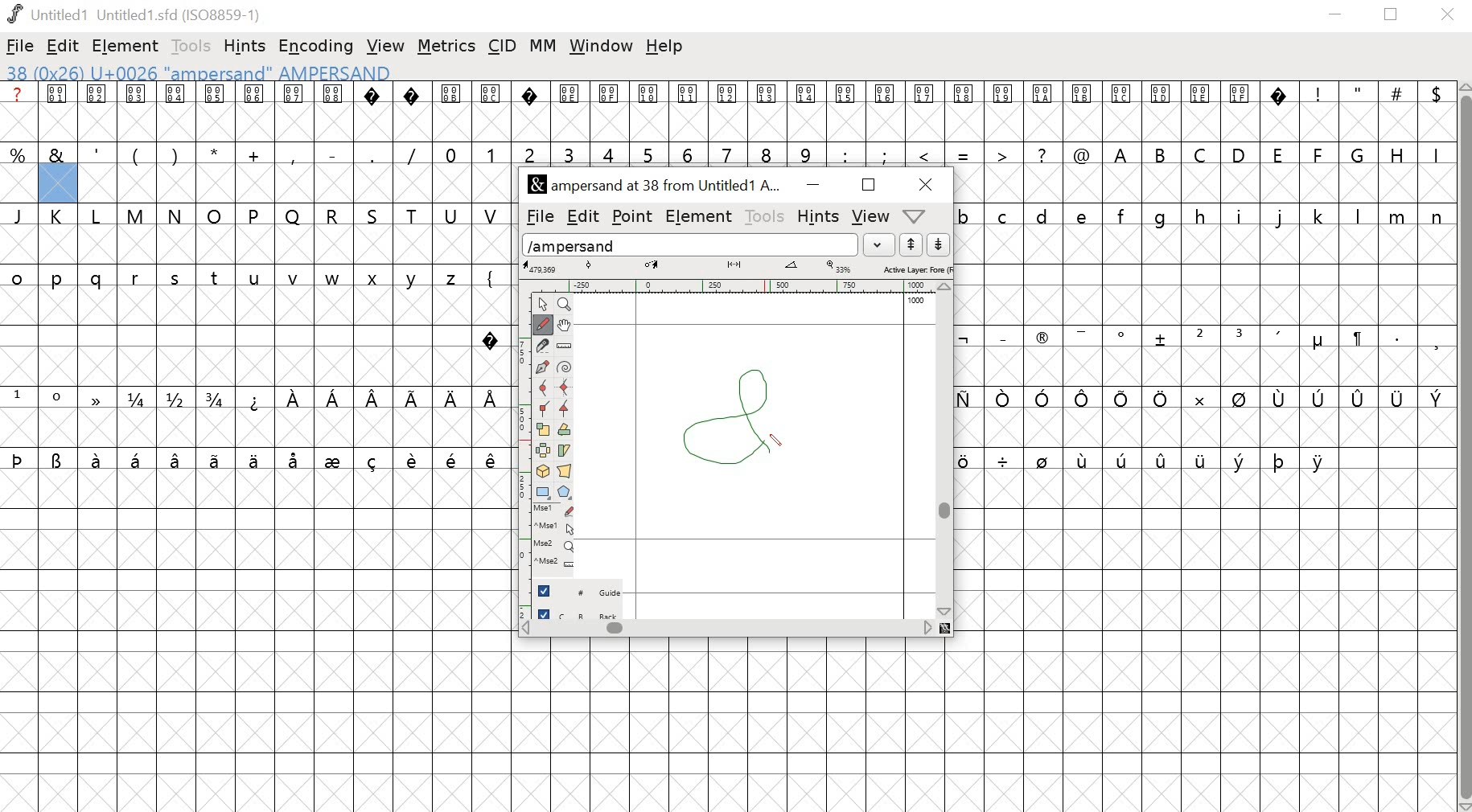  Describe the element at coordinates (1042, 215) in the screenshot. I see `d` at that location.